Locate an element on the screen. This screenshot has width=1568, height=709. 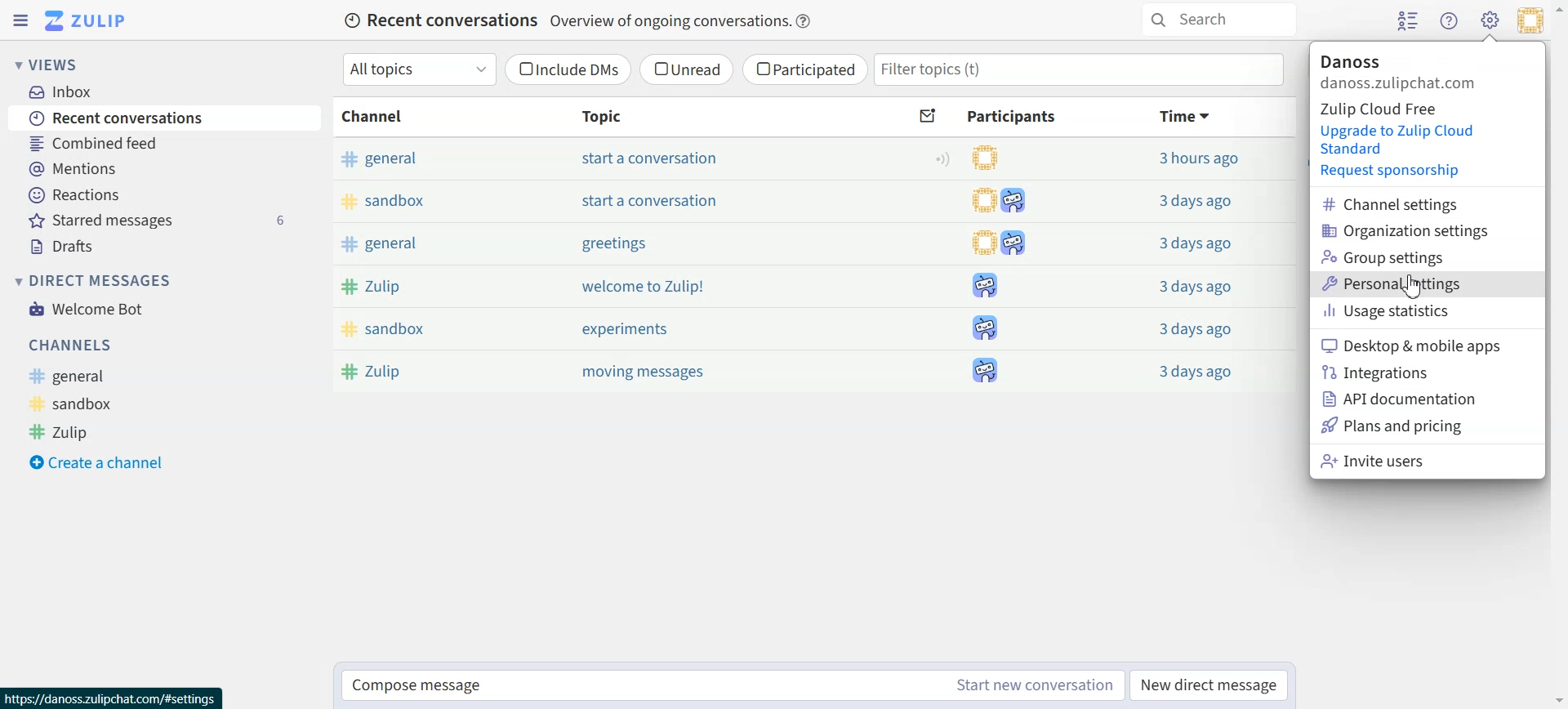
participants is located at coordinates (987, 286).